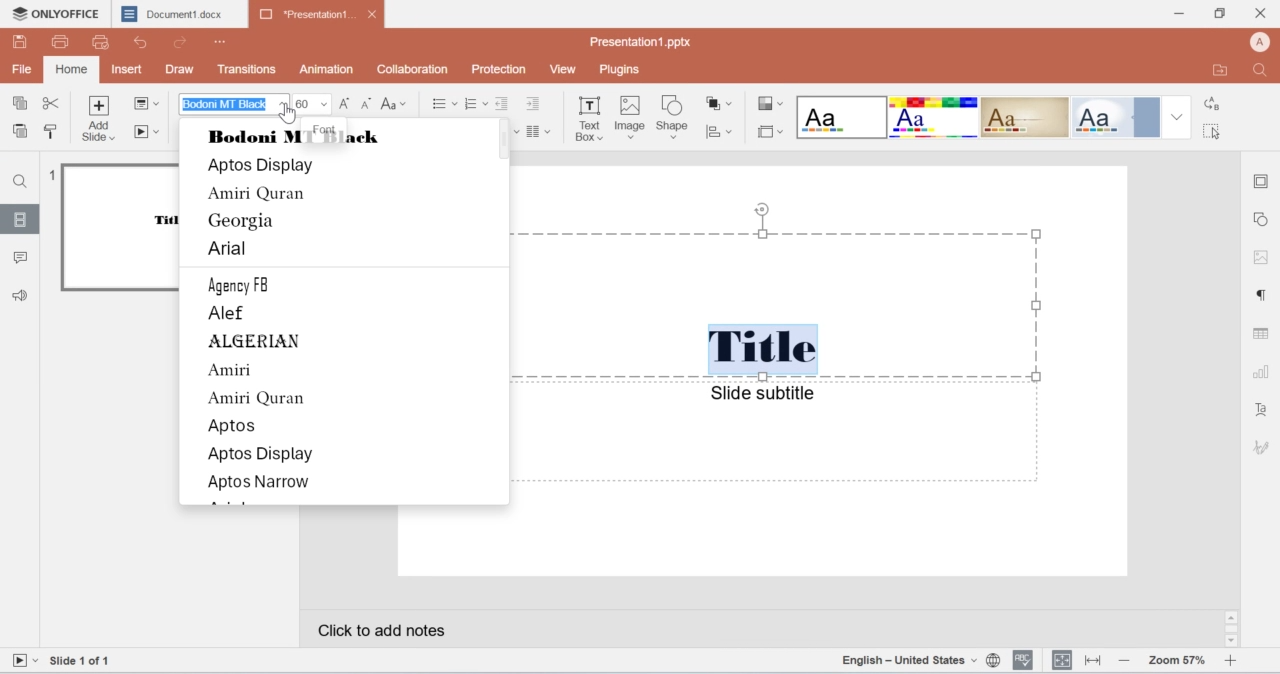  I want to click on animation, so click(329, 69).